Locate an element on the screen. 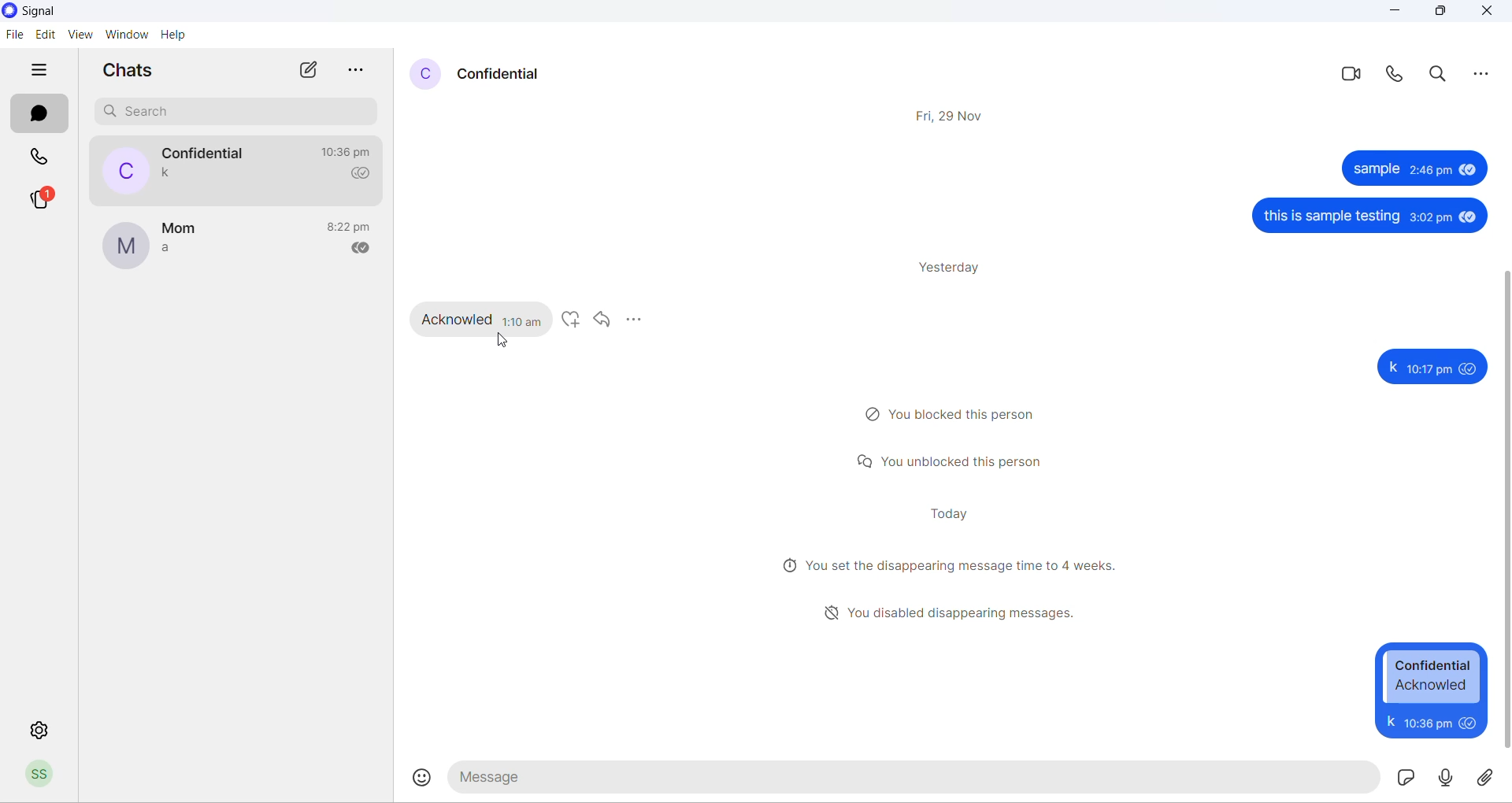 The height and width of the screenshot is (803, 1512). more options is located at coordinates (355, 69).